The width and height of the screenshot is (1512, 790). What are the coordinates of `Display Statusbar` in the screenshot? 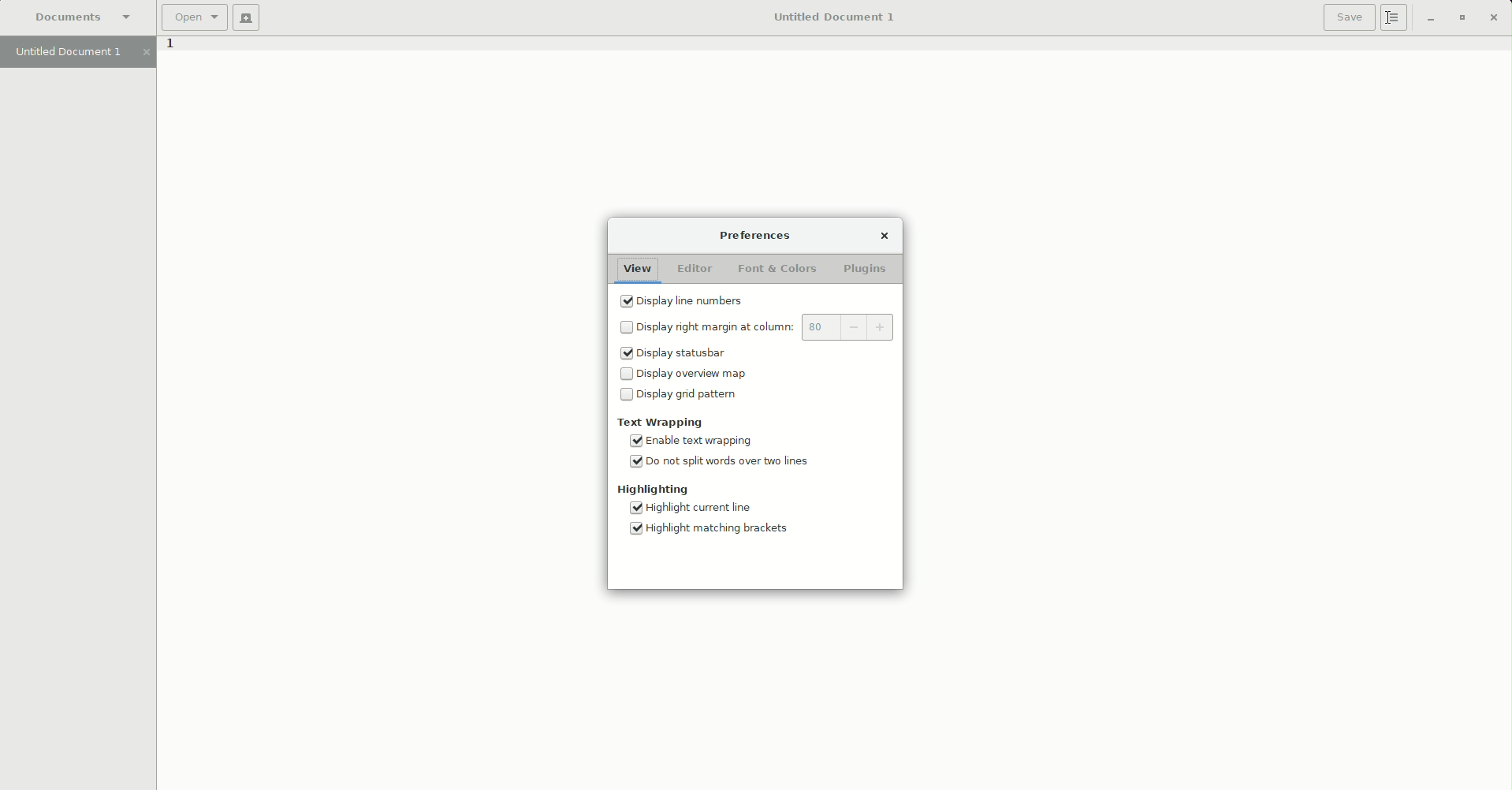 It's located at (673, 354).